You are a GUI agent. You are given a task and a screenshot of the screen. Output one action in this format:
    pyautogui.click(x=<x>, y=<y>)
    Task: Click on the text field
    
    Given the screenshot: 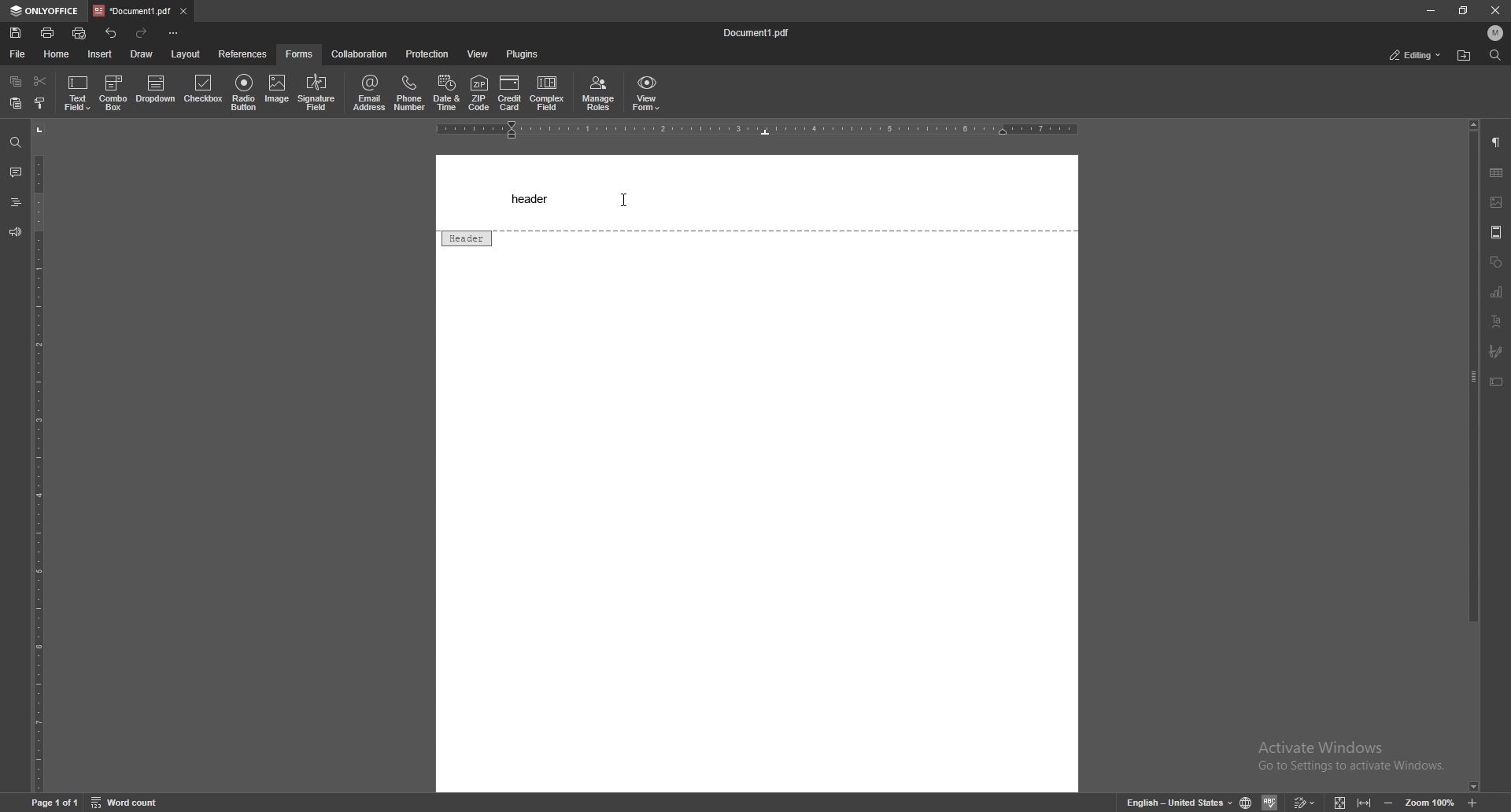 What is the action you would take?
    pyautogui.click(x=79, y=92)
    